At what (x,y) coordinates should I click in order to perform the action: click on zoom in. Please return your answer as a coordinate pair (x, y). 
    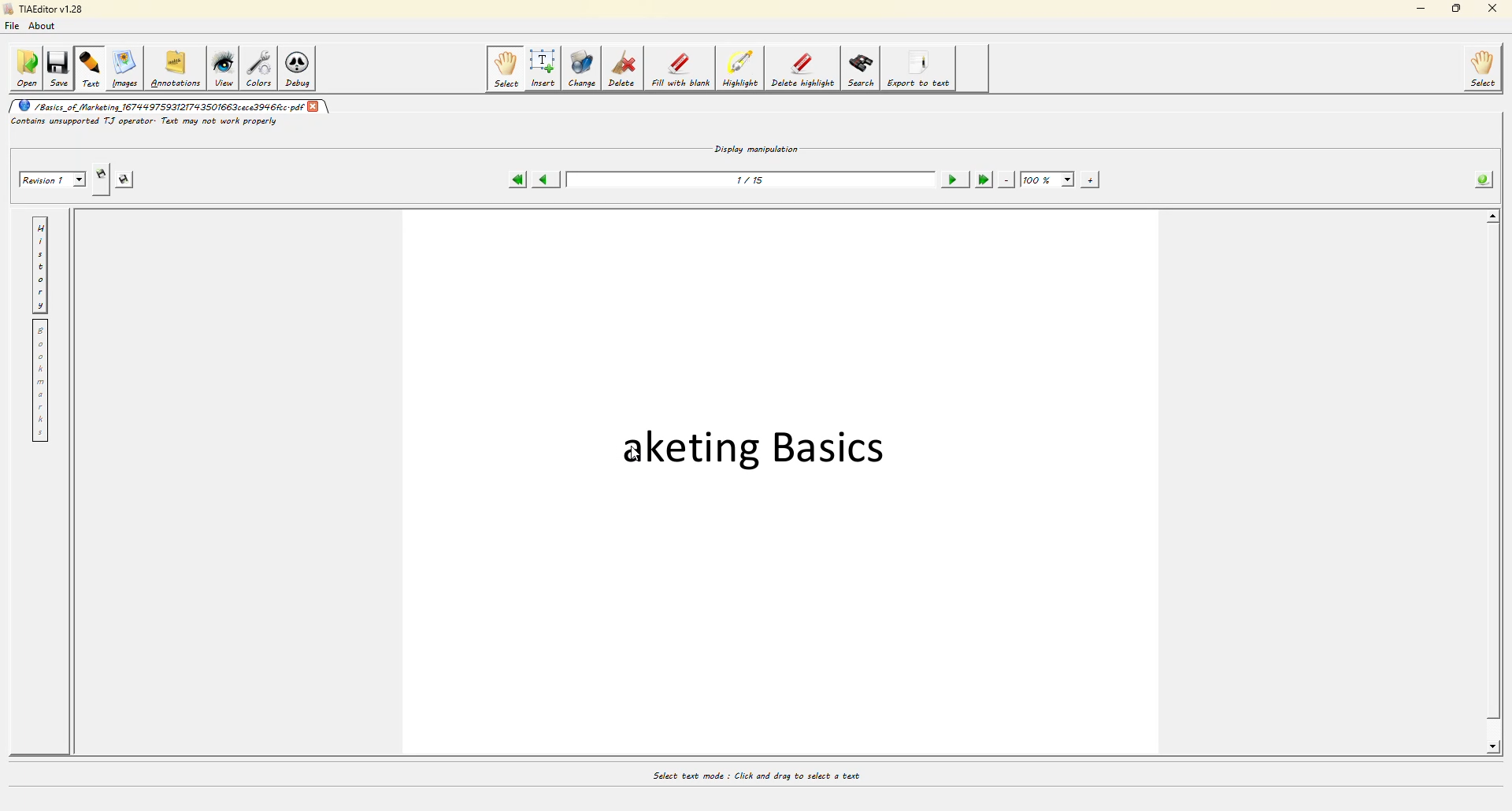
    Looking at the image, I should click on (1088, 180).